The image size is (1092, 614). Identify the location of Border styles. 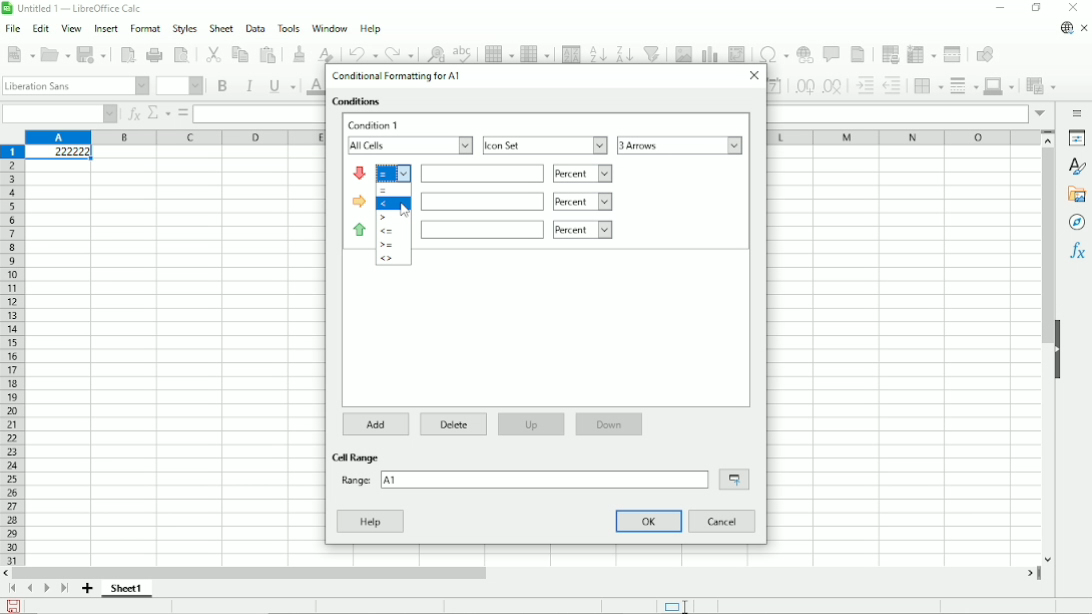
(963, 85).